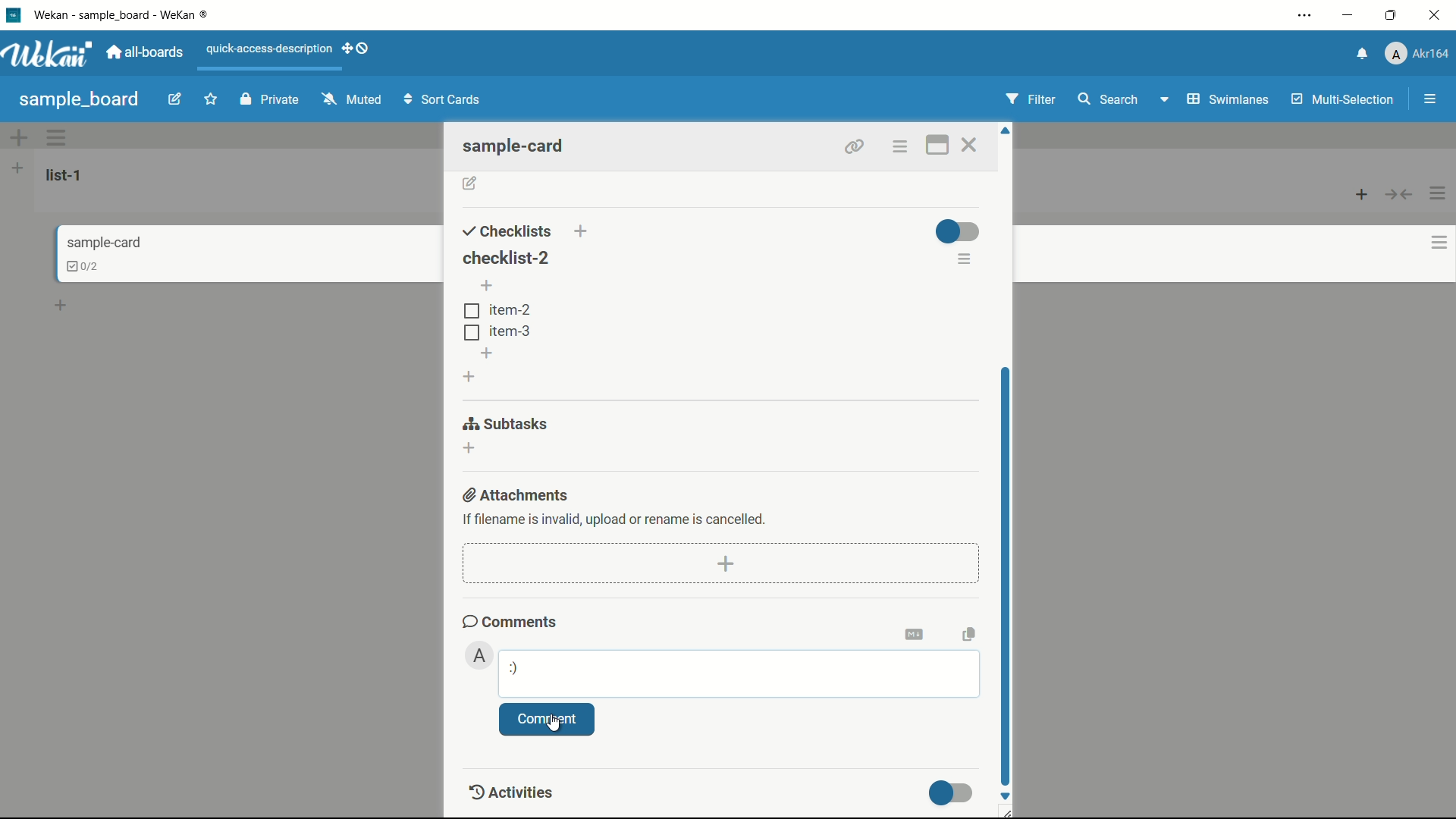 Image resolution: width=1456 pixels, height=819 pixels. What do you see at coordinates (968, 632) in the screenshot?
I see `copy text to clipboard` at bounding box center [968, 632].